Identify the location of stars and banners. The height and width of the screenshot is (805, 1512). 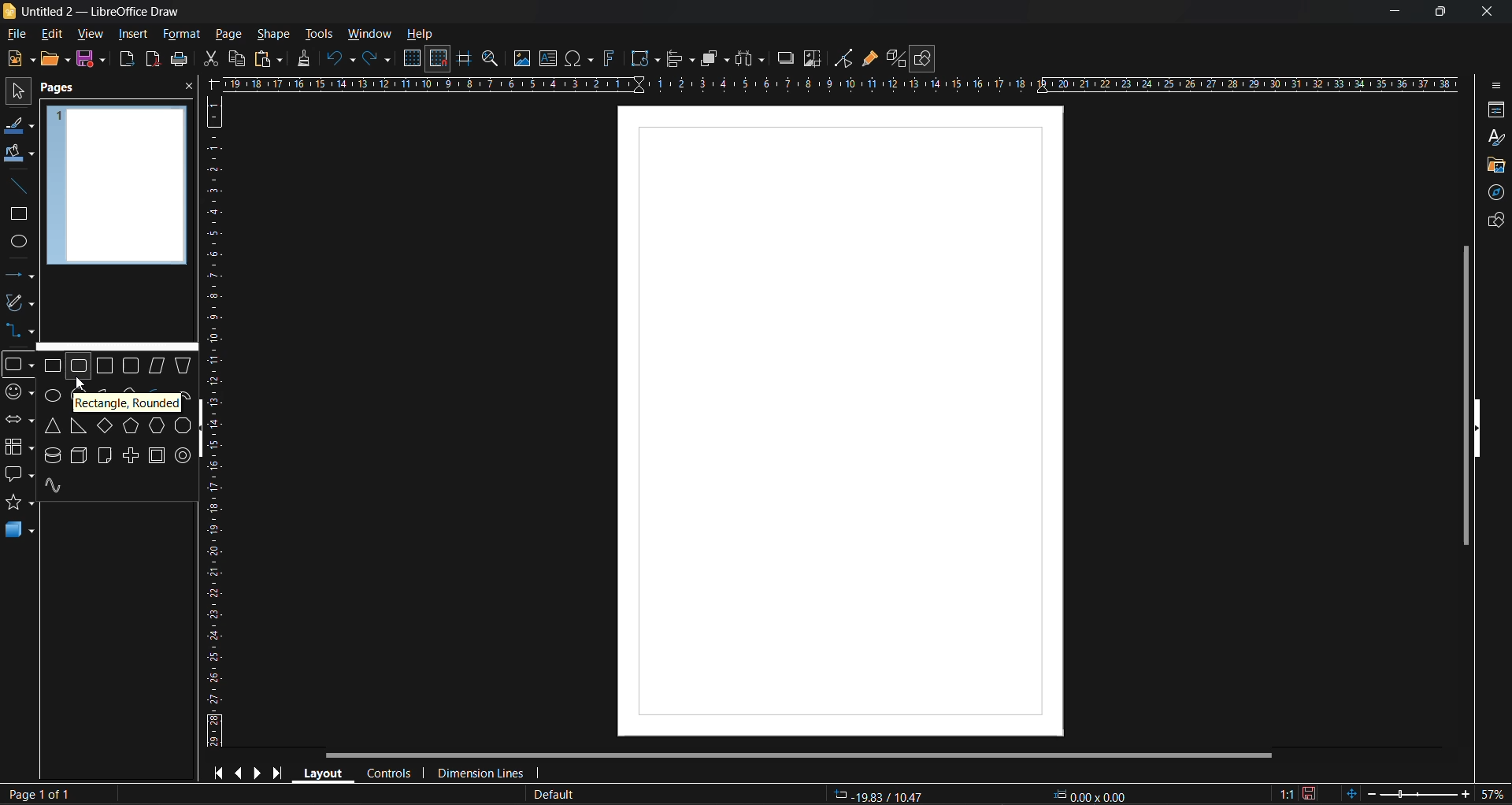
(18, 502).